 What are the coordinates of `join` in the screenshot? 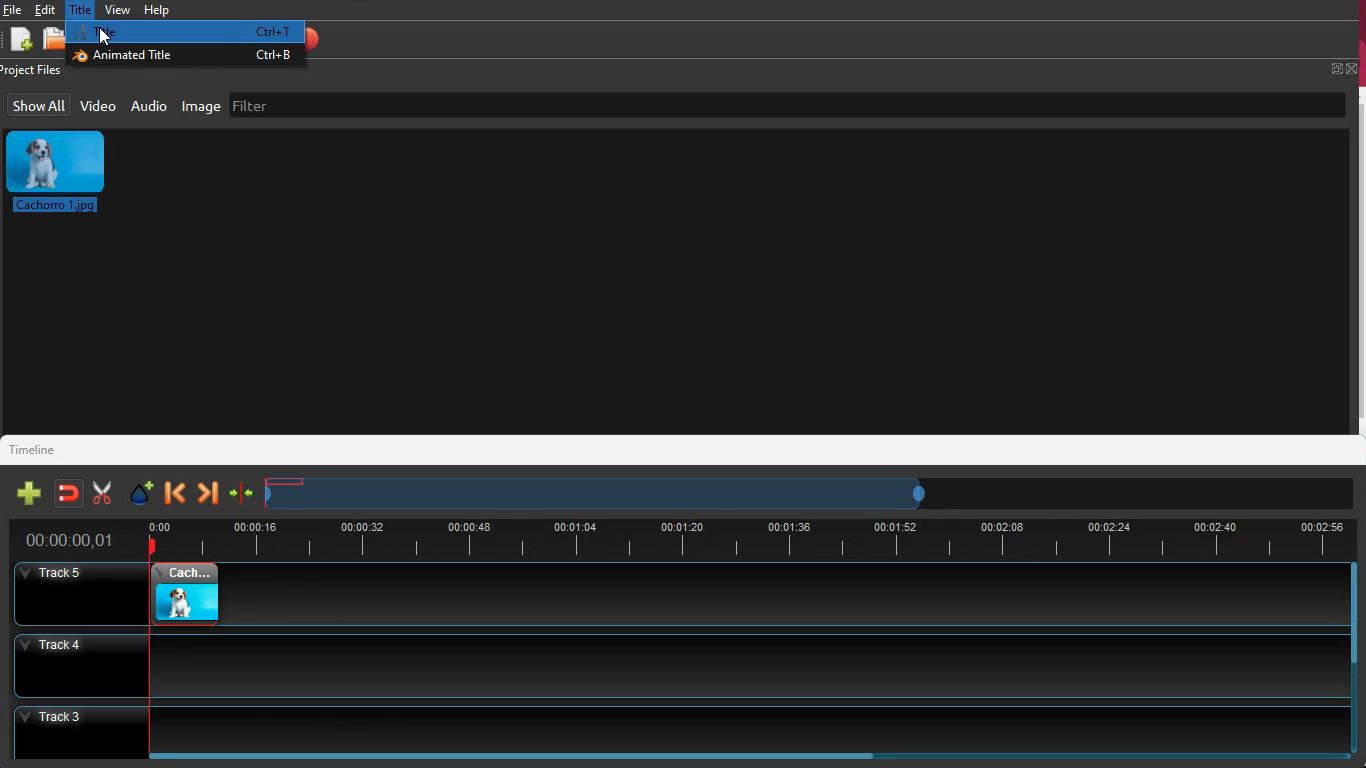 It's located at (67, 493).